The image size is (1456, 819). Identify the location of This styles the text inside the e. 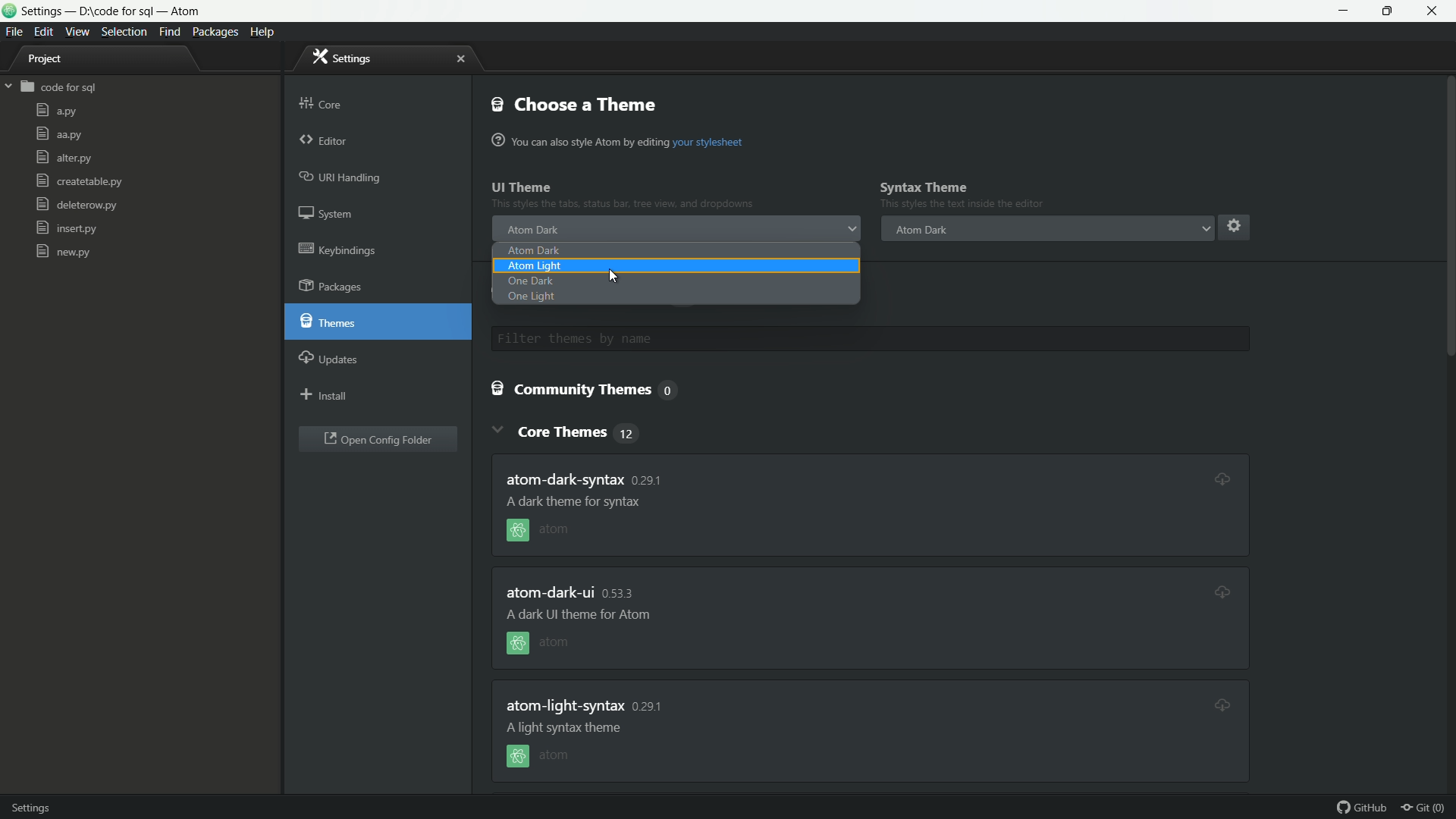
(623, 206).